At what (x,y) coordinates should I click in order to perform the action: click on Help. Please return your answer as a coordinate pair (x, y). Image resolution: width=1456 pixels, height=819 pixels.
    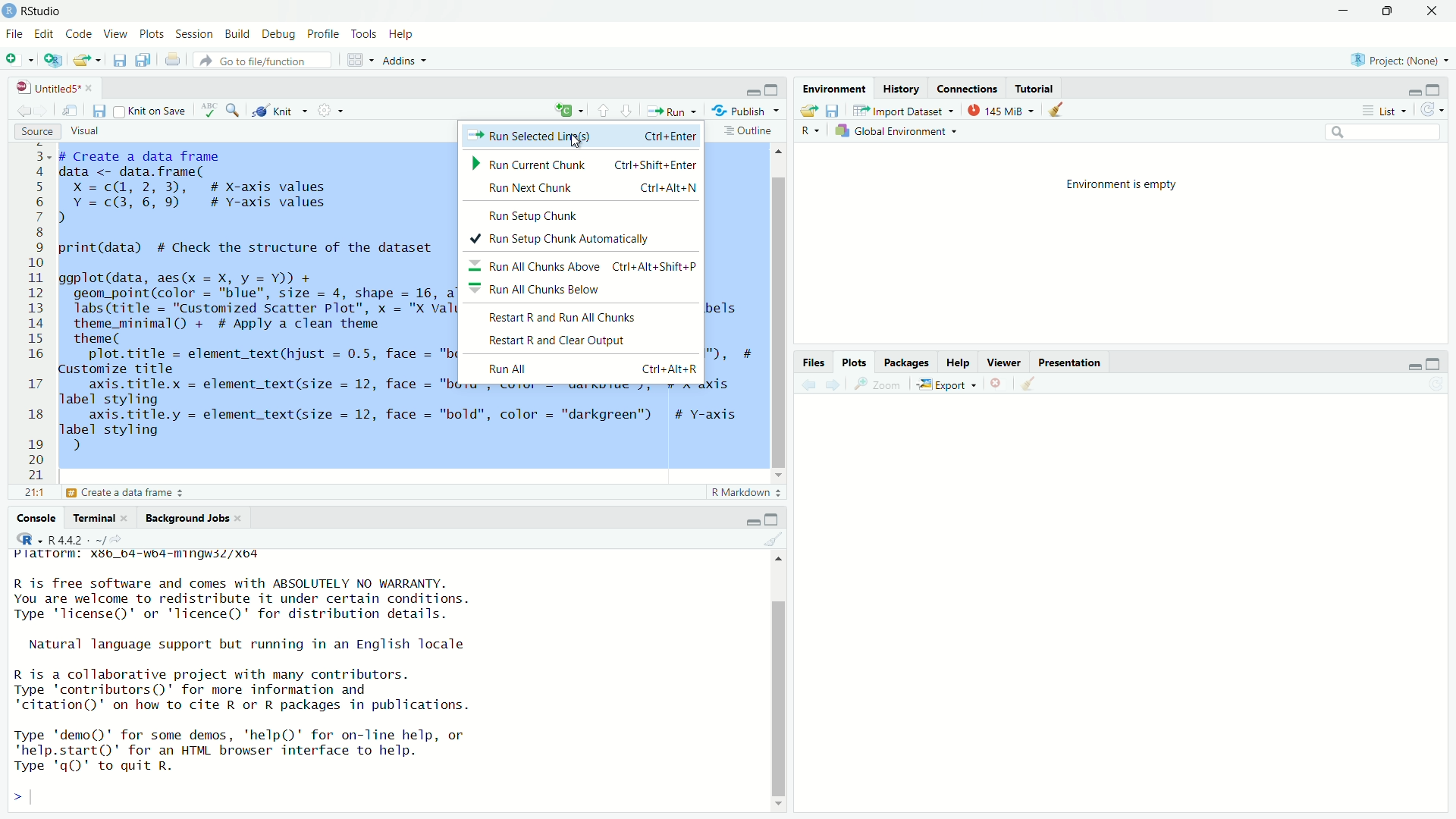
    Looking at the image, I should click on (955, 365).